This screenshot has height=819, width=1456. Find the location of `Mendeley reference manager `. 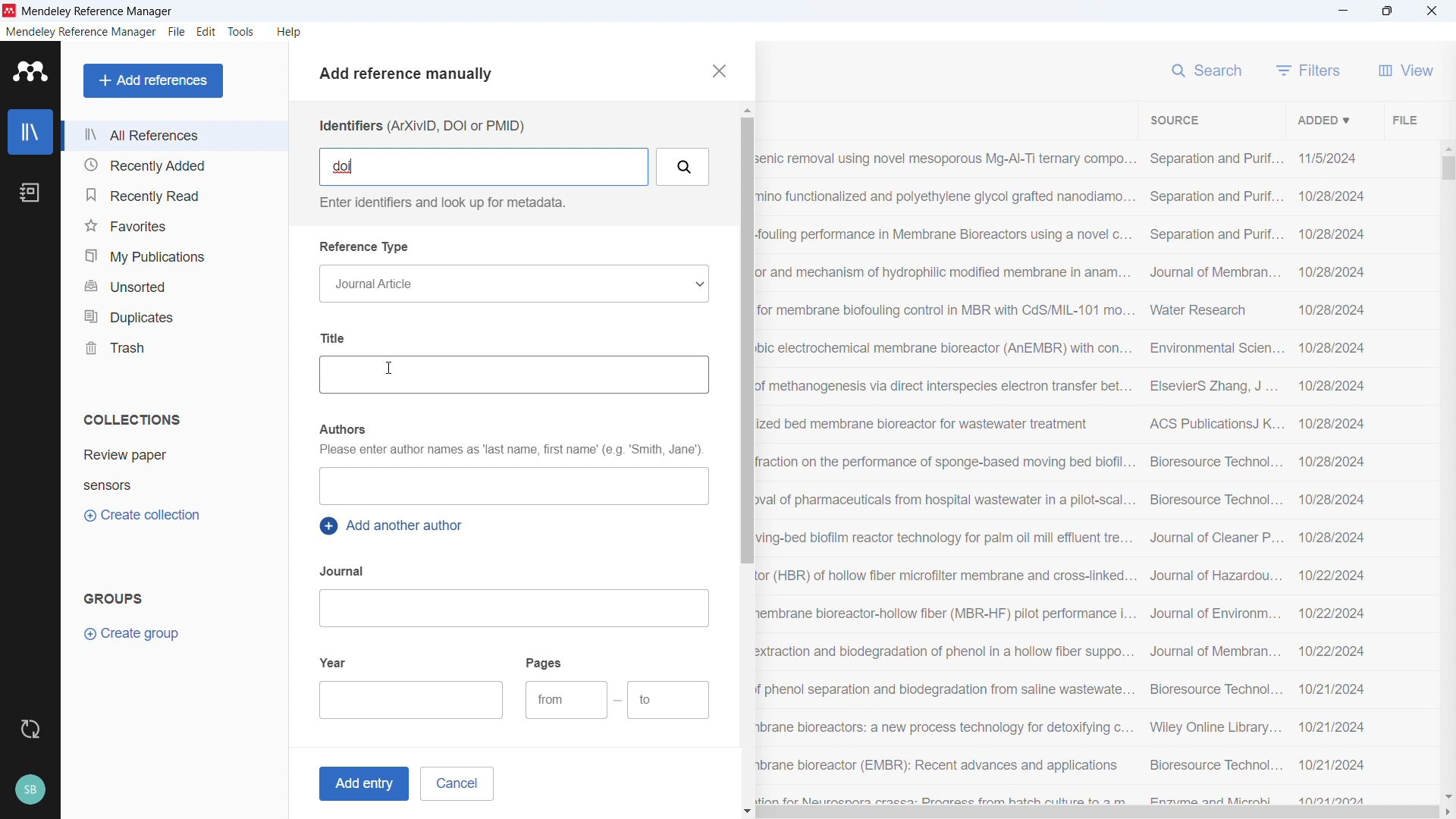

Mendeley reference manager  is located at coordinates (81, 32).